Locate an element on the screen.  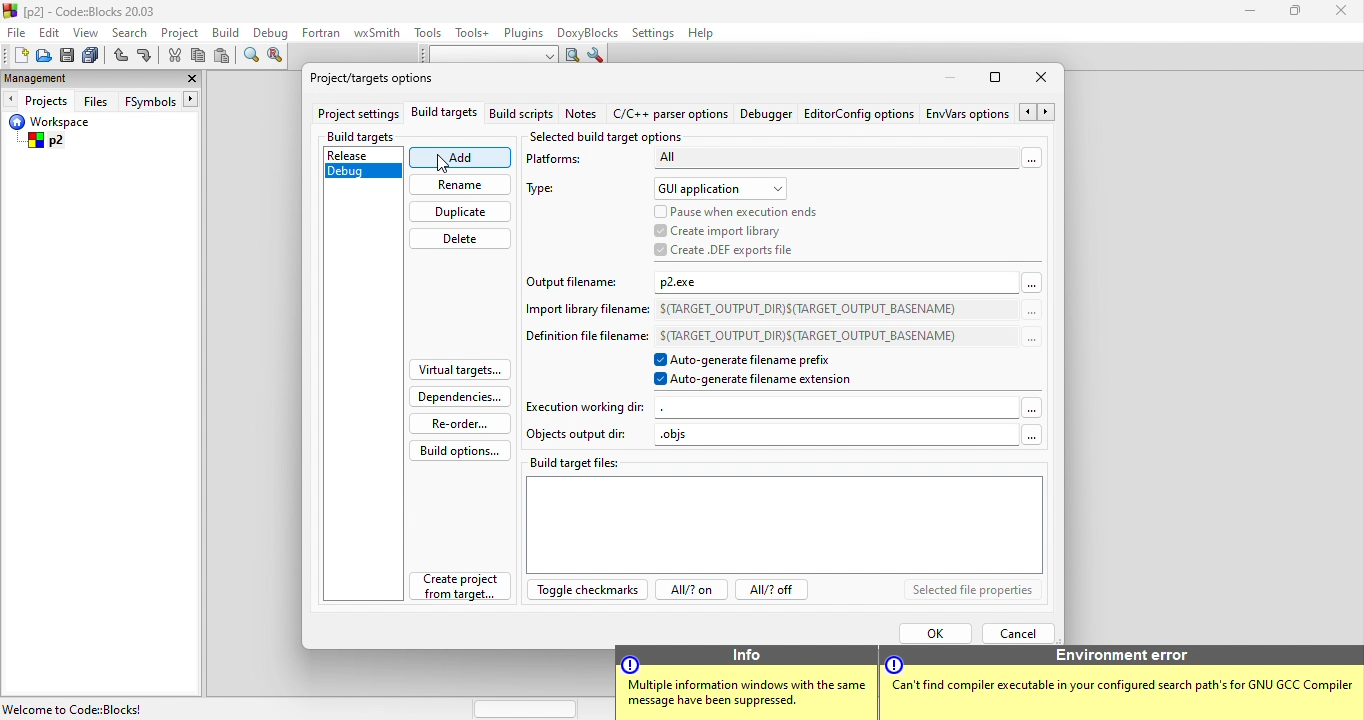
toggle checkmarks is located at coordinates (588, 589).